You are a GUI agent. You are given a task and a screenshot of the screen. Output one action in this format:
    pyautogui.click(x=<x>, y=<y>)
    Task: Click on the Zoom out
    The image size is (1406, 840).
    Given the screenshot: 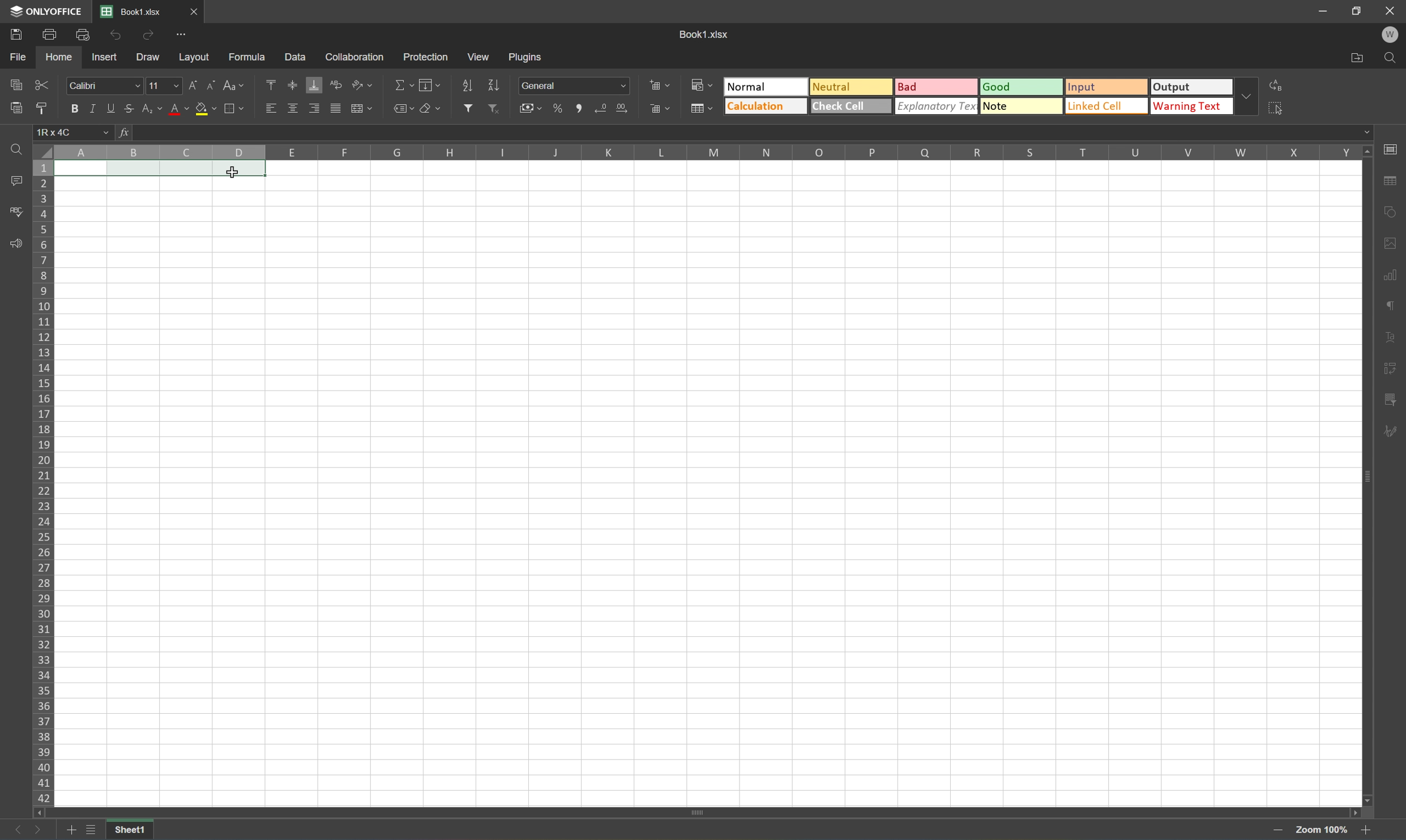 What is the action you would take?
    pyautogui.click(x=1361, y=832)
    